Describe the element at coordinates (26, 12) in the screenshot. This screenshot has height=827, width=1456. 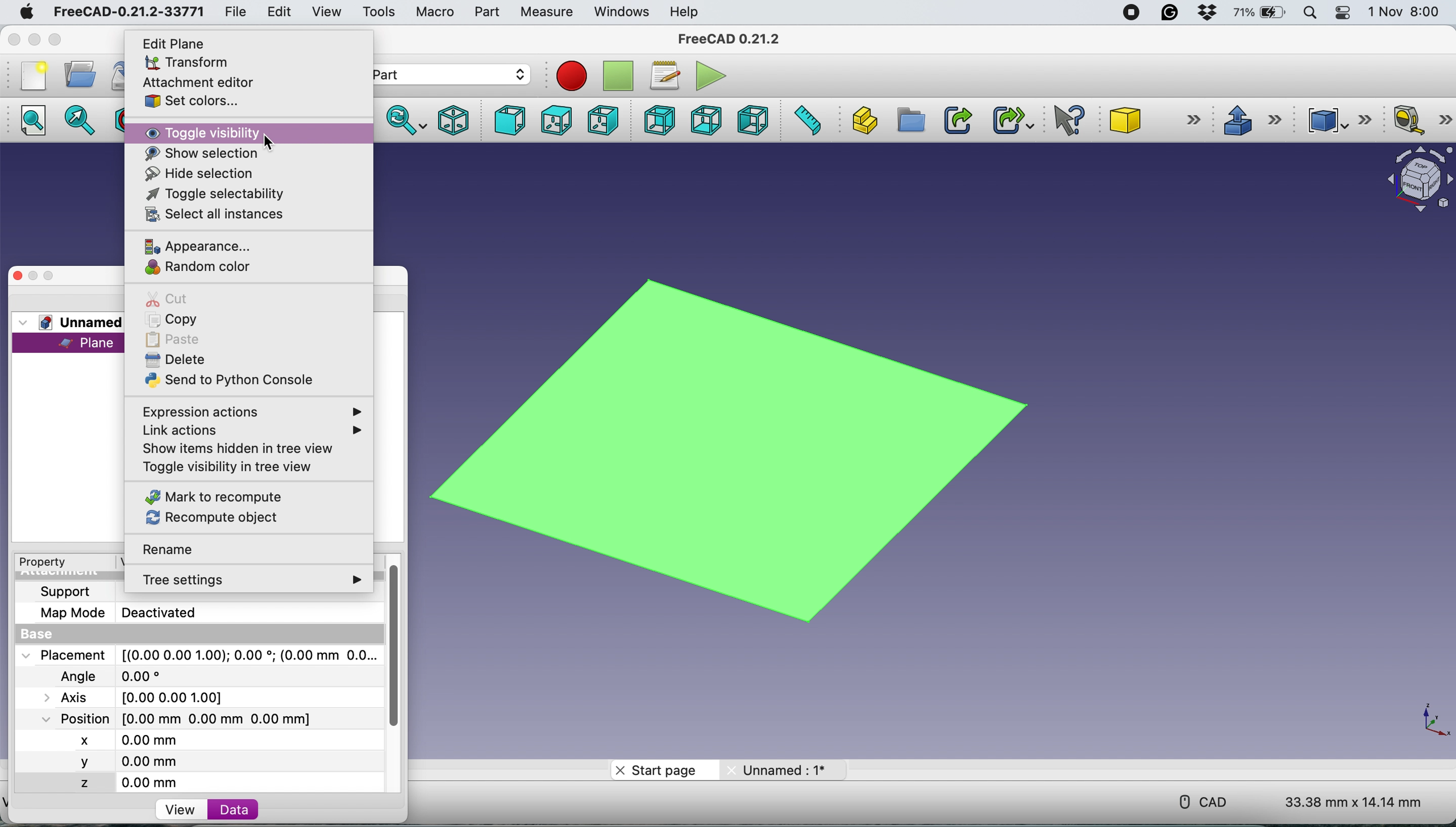
I see `system logo` at that location.